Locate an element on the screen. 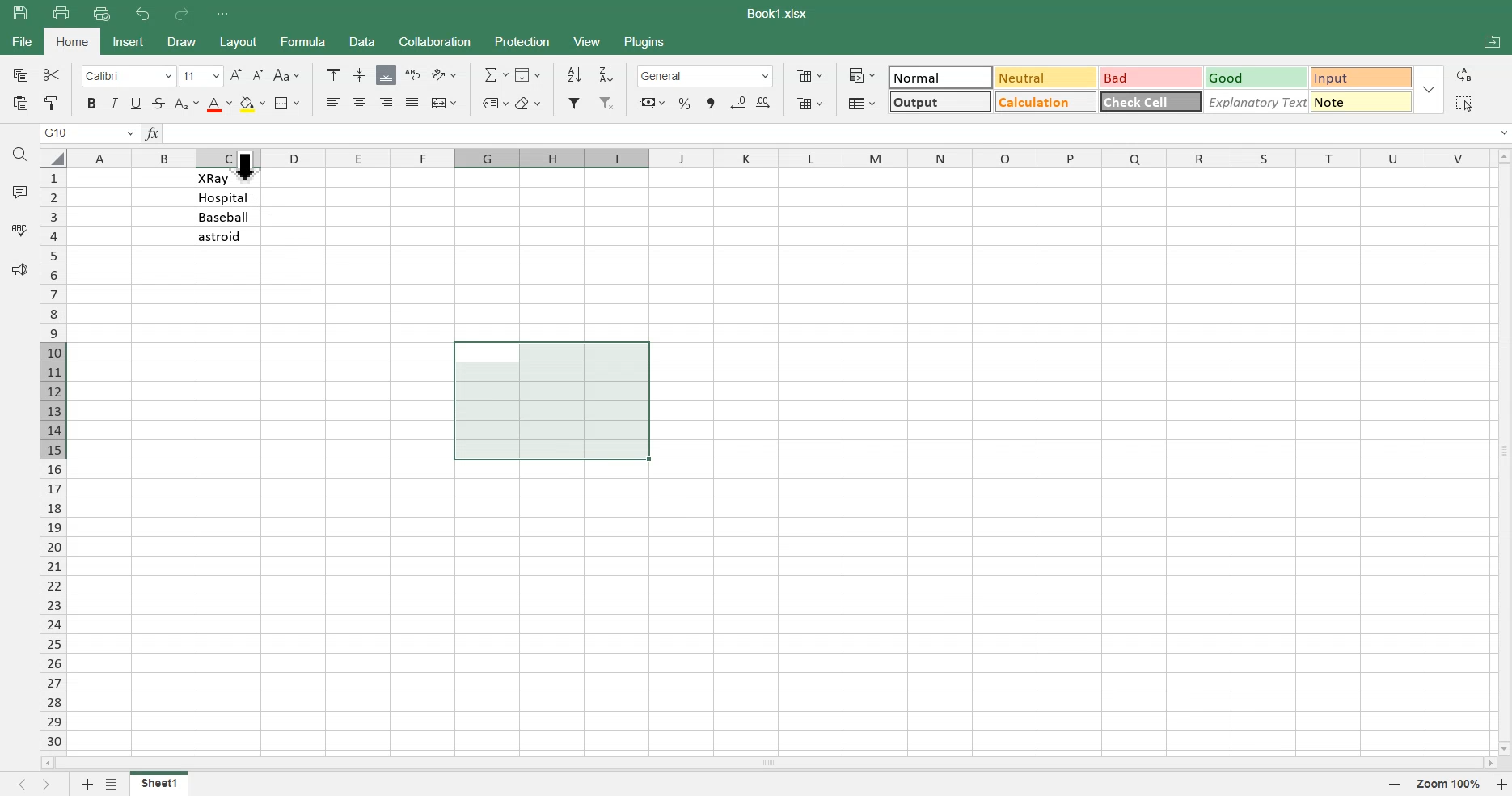  Explanatory text is located at coordinates (1257, 104).